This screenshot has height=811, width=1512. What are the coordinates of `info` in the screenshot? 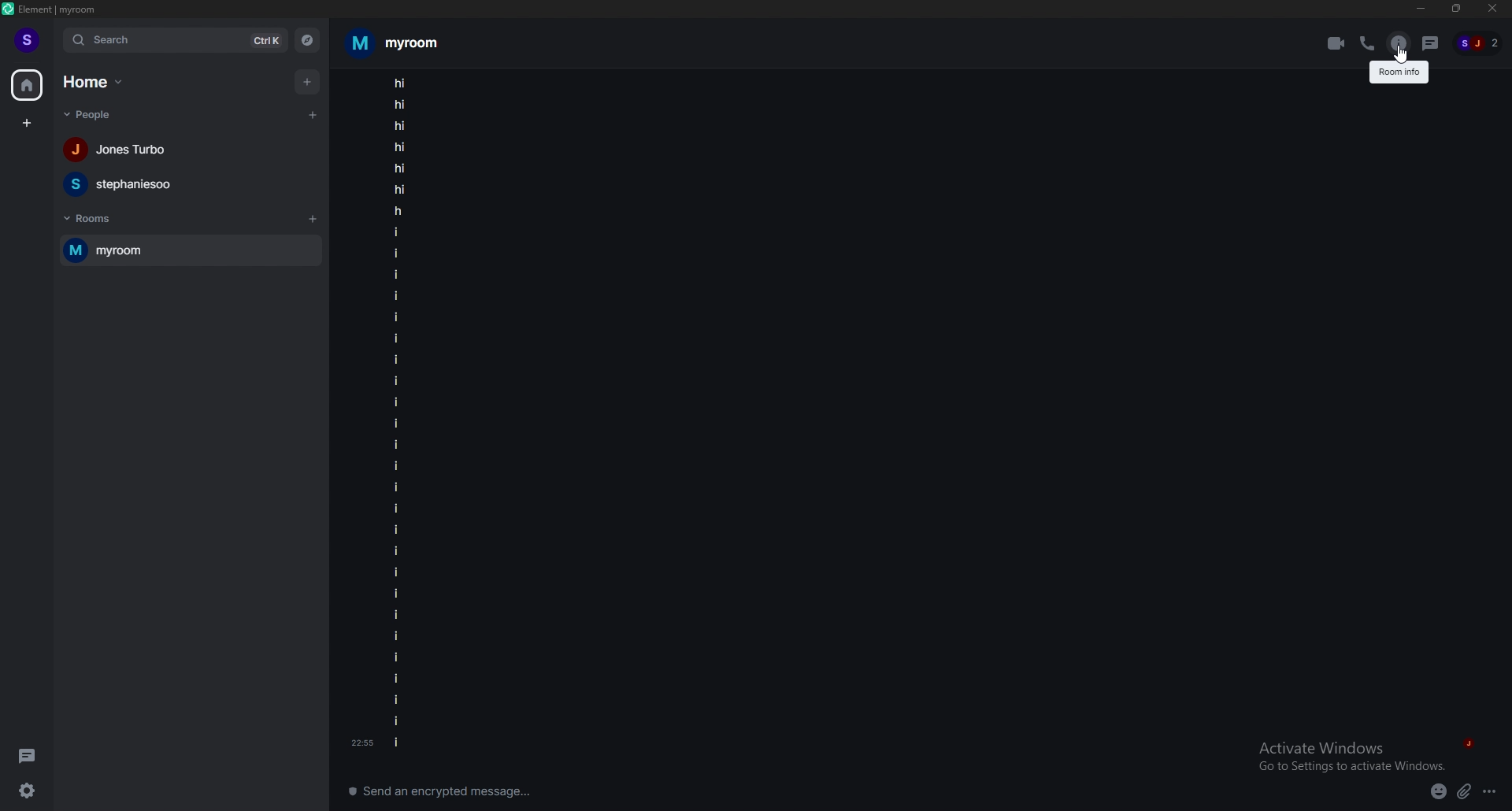 It's located at (1399, 43).